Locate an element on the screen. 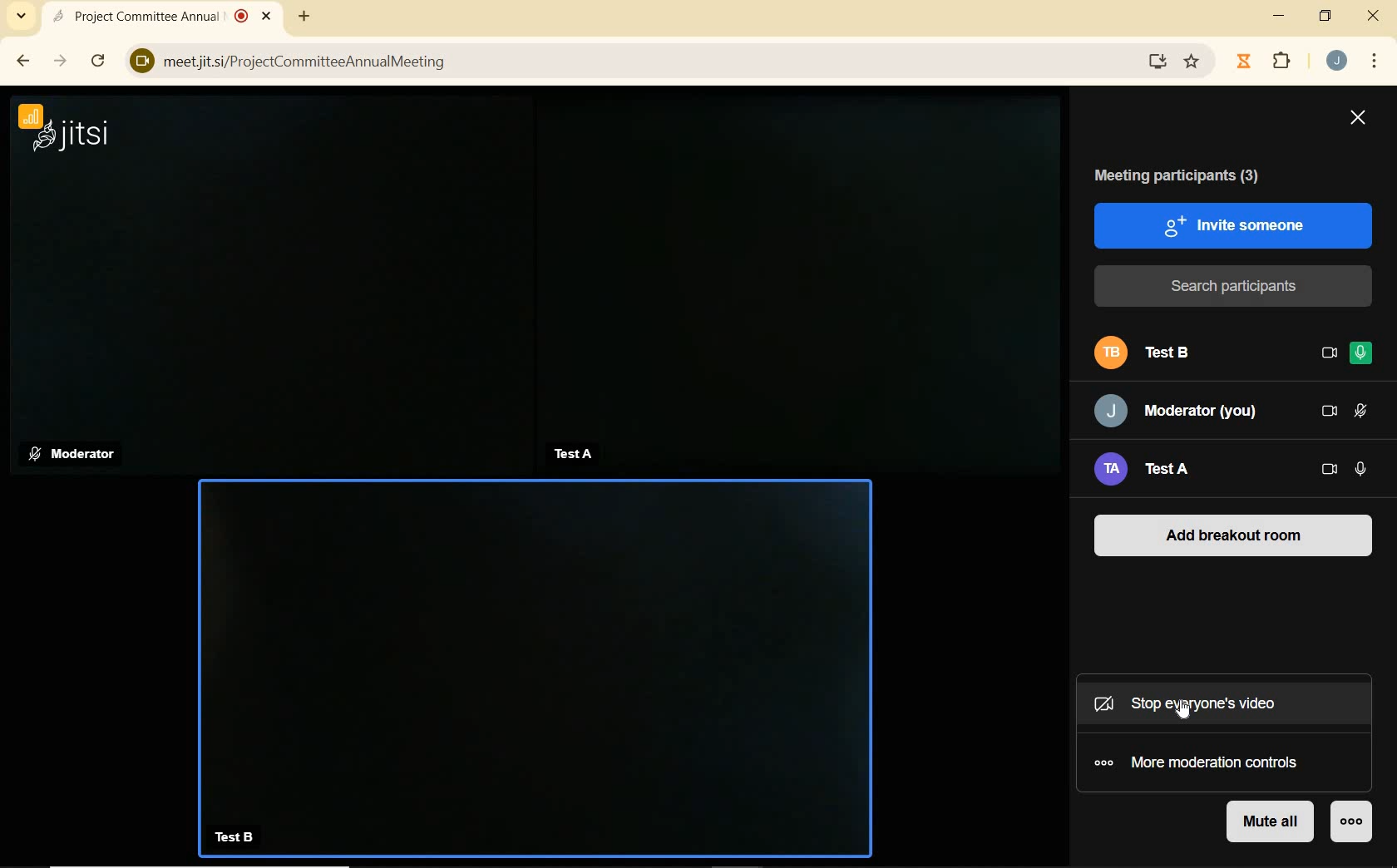 The width and height of the screenshot is (1397, 868). EXTENSION is located at coordinates (1281, 60).